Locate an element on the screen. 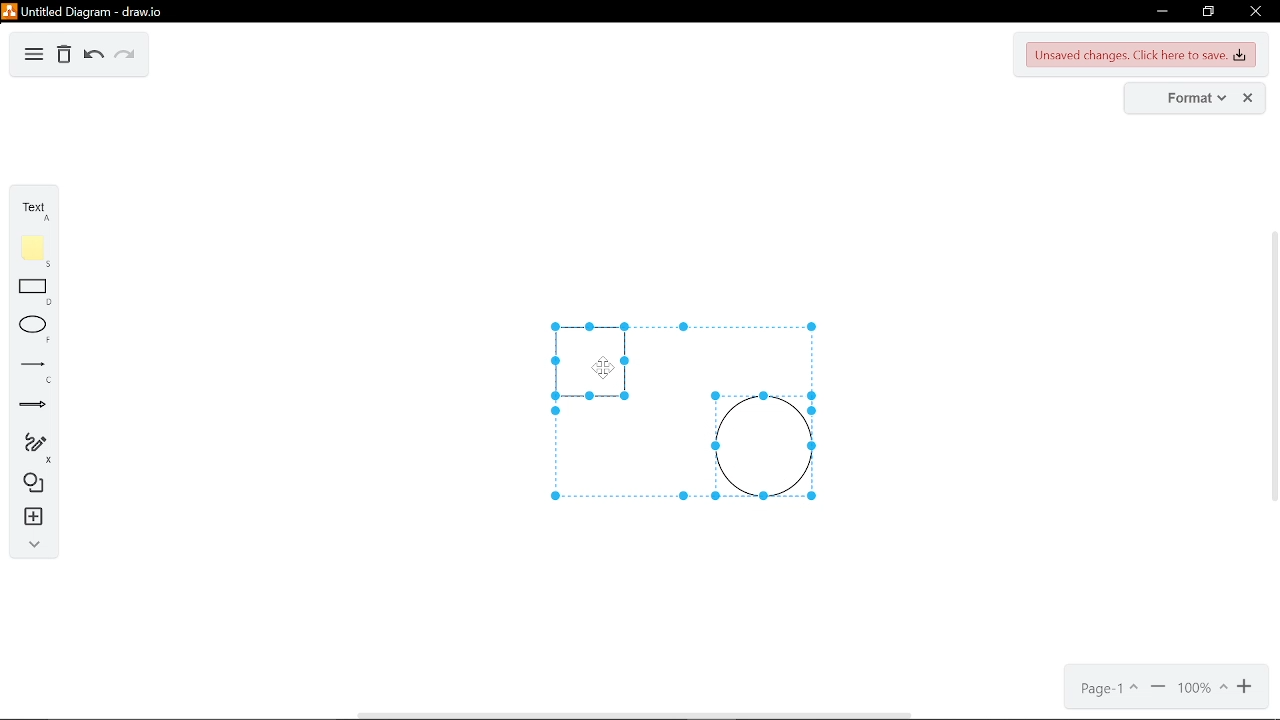 The image size is (1280, 720). current zoom is located at coordinates (1203, 689).